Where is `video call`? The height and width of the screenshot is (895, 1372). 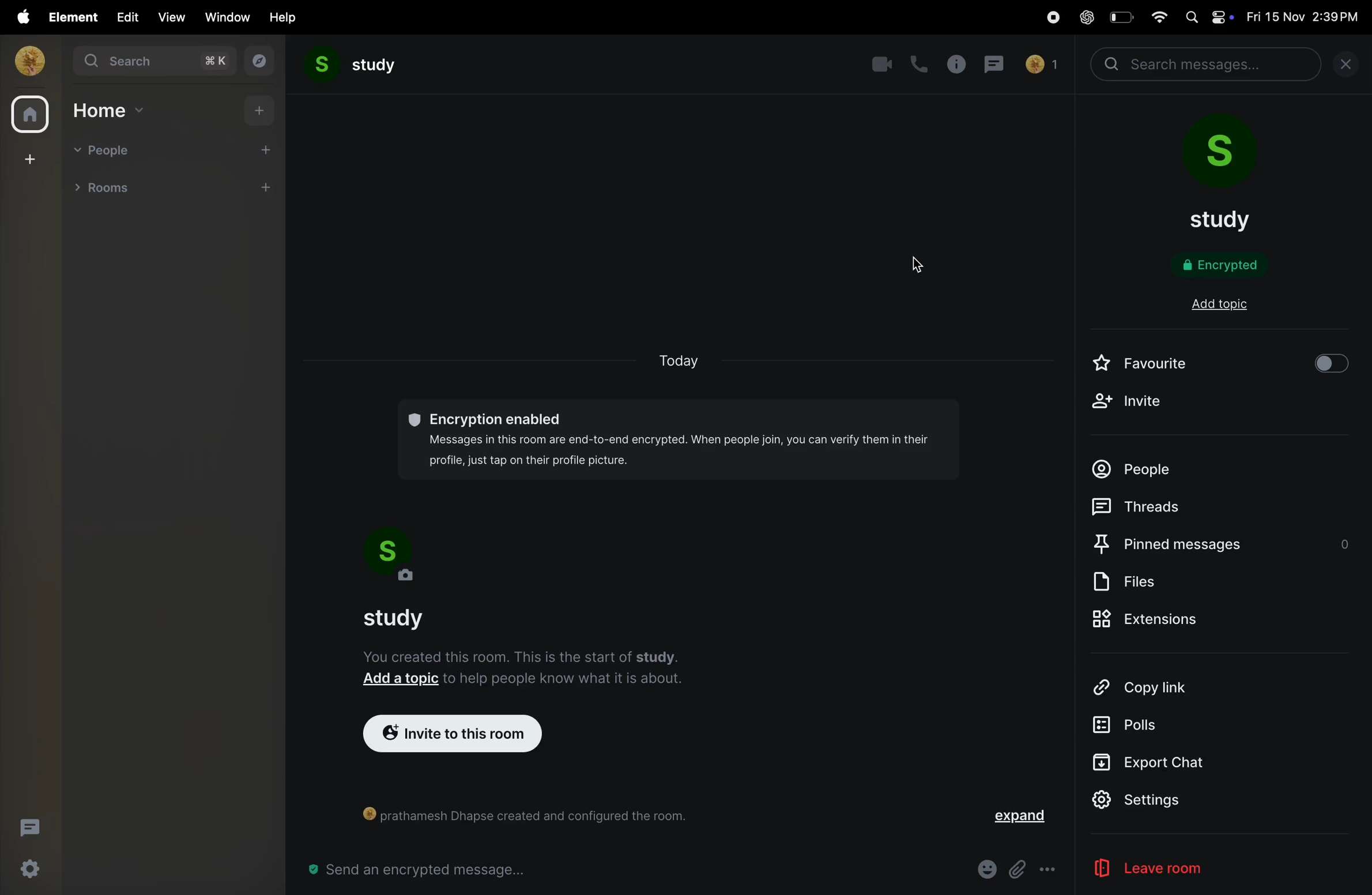 video call is located at coordinates (881, 64).